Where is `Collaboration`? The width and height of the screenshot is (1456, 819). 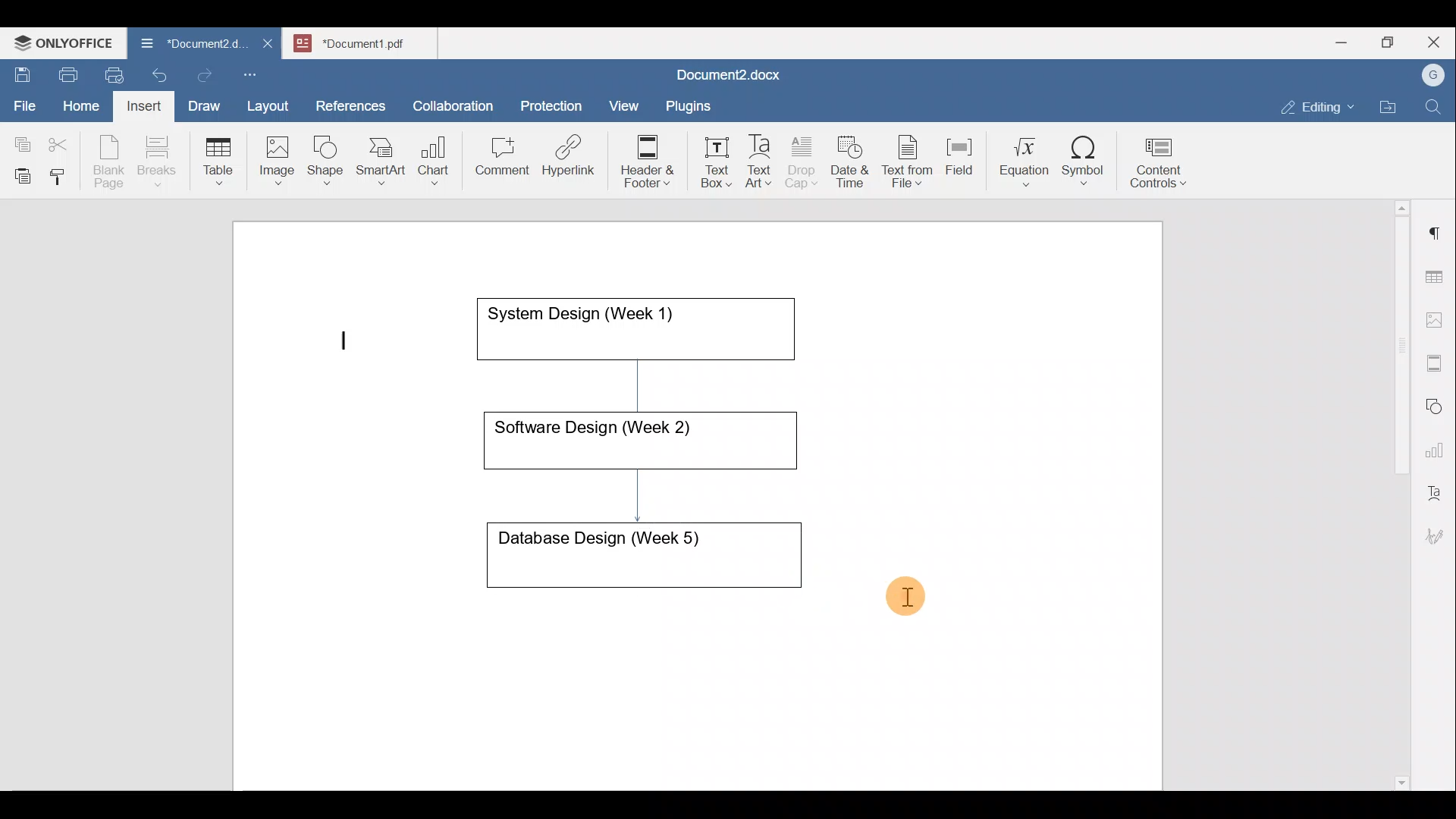
Collaboration is located at coordinates (450, 98).